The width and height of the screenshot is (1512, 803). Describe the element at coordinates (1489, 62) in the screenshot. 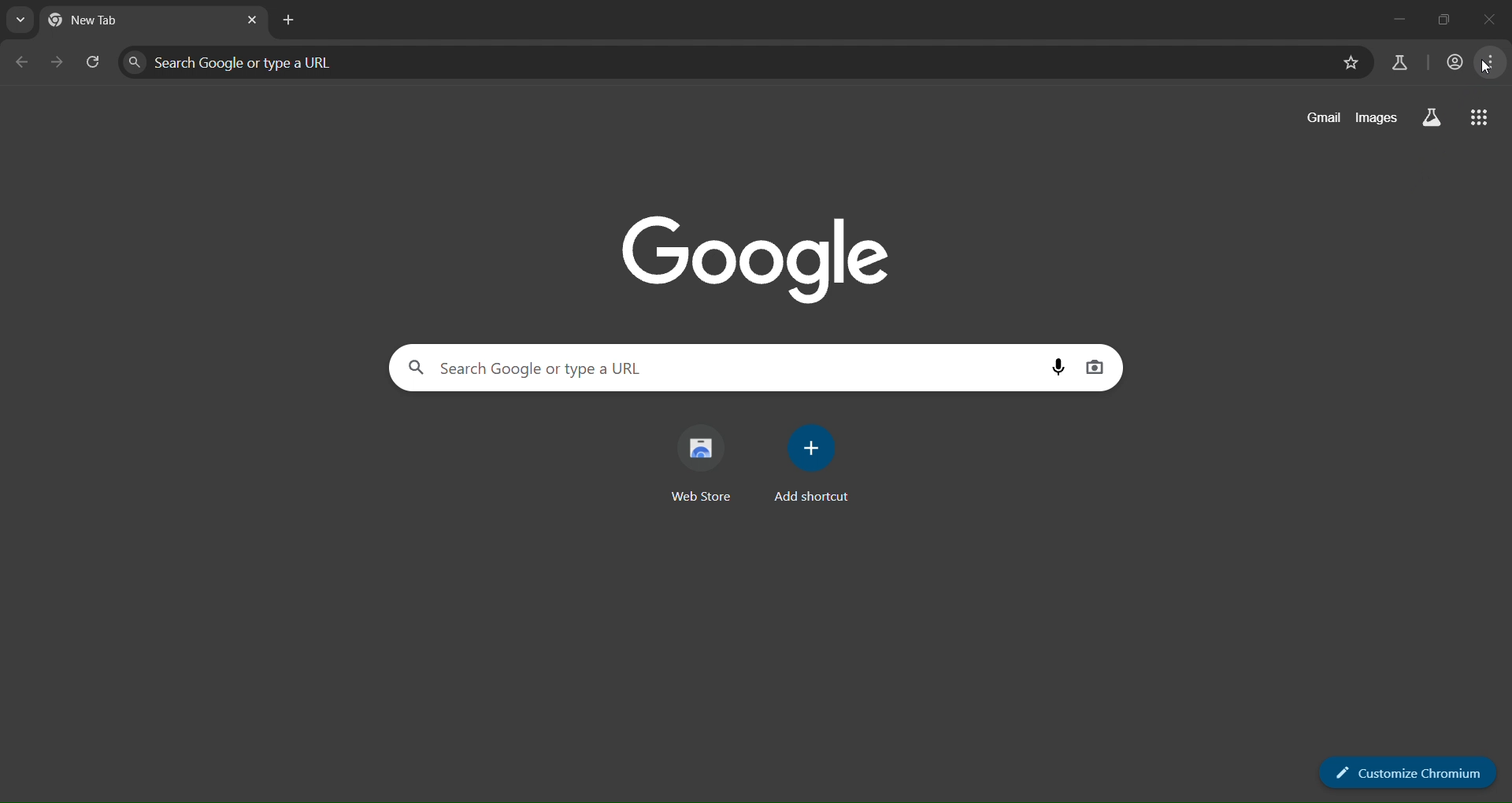

I see `menu` at that location.